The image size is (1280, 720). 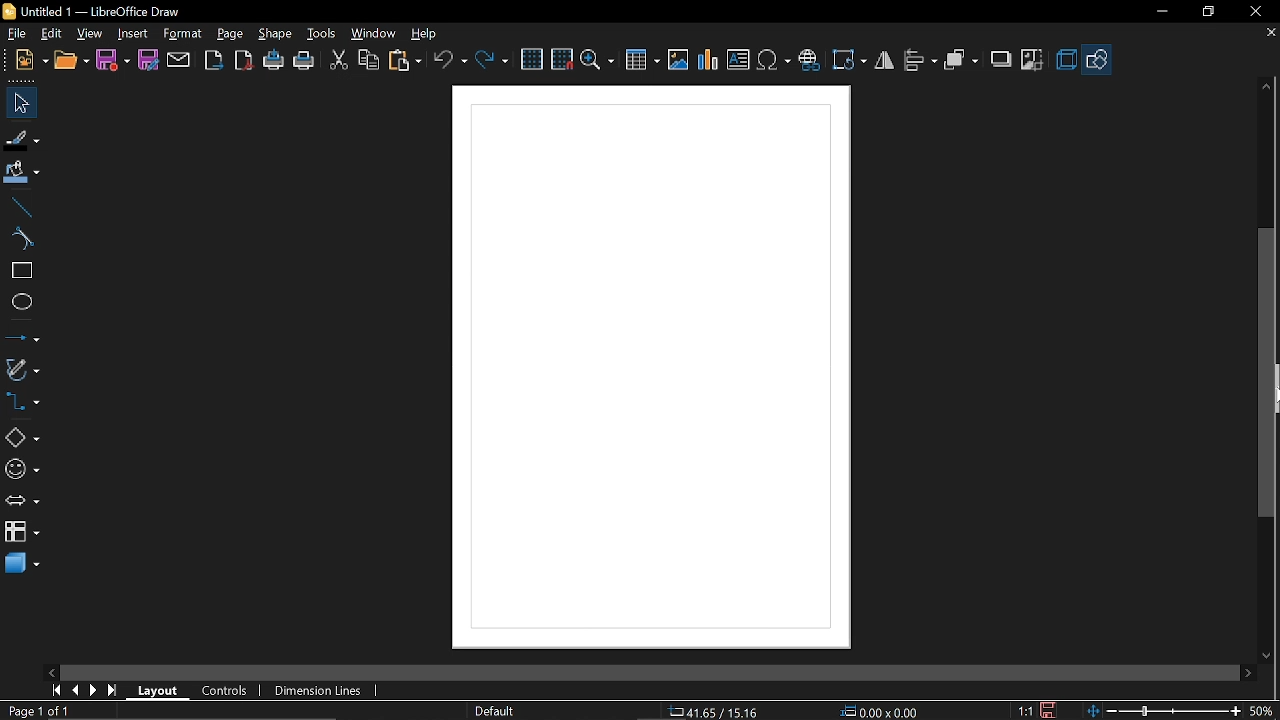 I want to click on rectangle, so click(x=18, y=271).